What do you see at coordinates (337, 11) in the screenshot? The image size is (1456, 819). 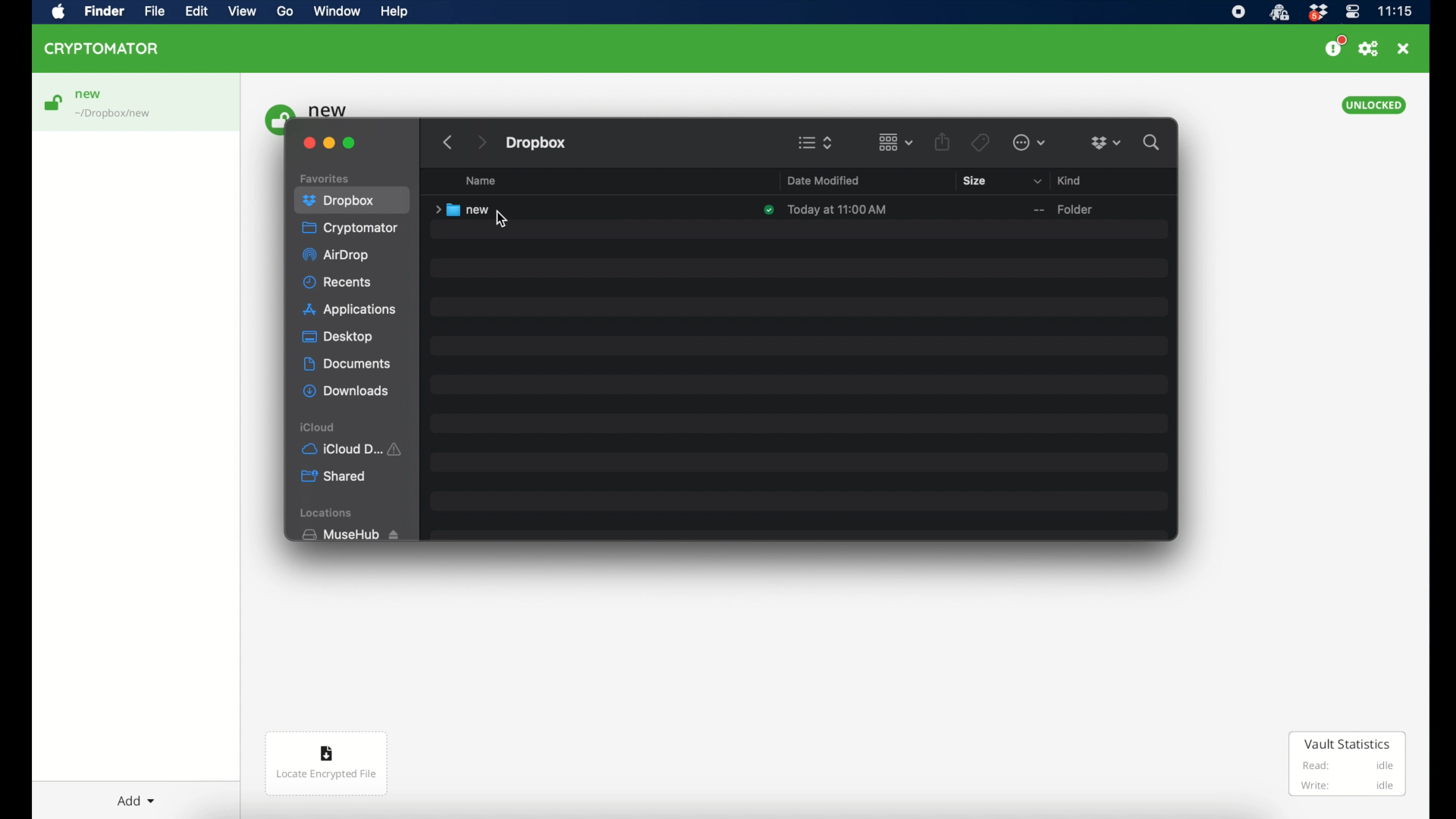 I see `window` at bounding box center [337, 11].